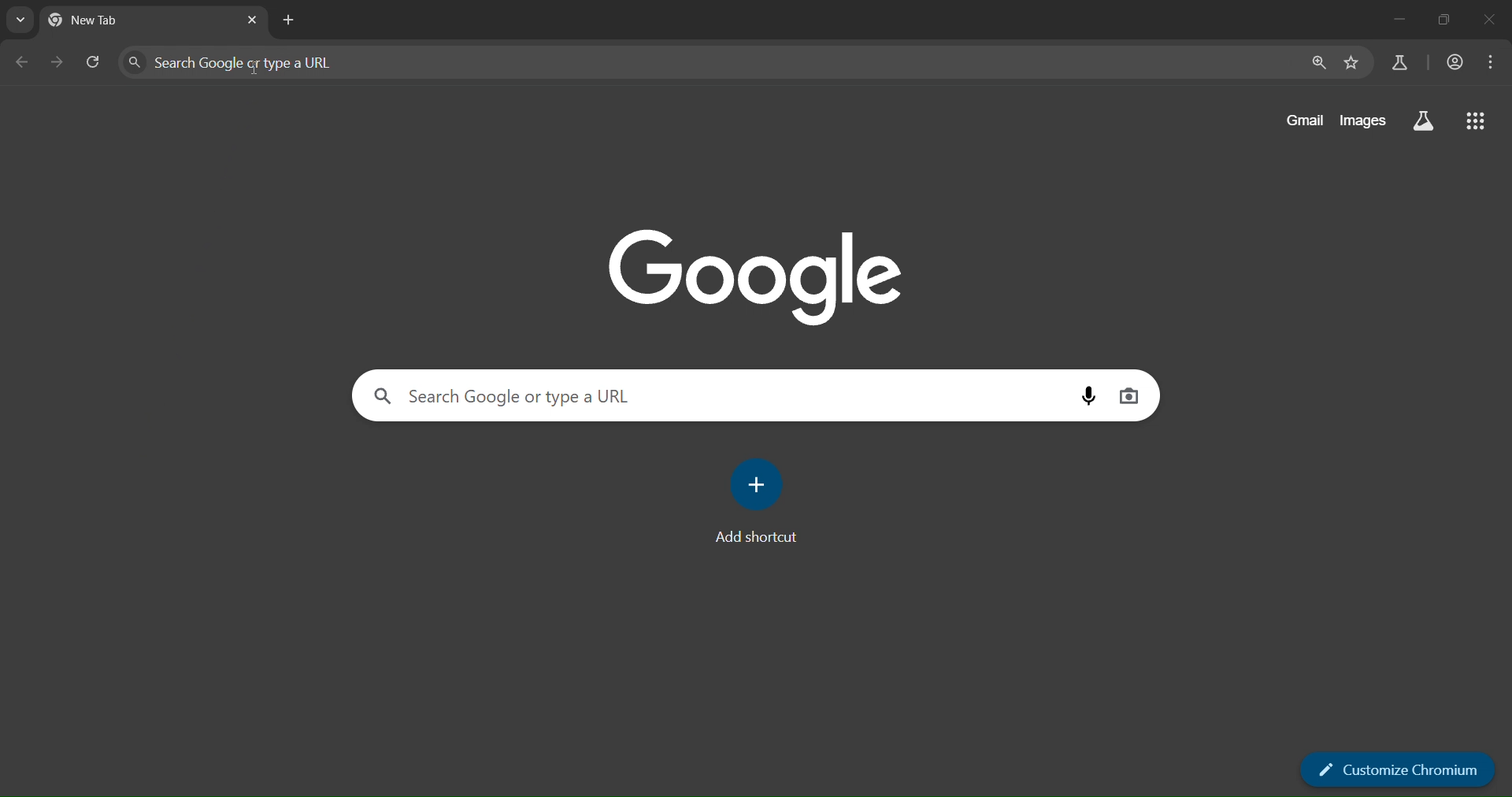  I want to click on currenttab, so click(128, 20).